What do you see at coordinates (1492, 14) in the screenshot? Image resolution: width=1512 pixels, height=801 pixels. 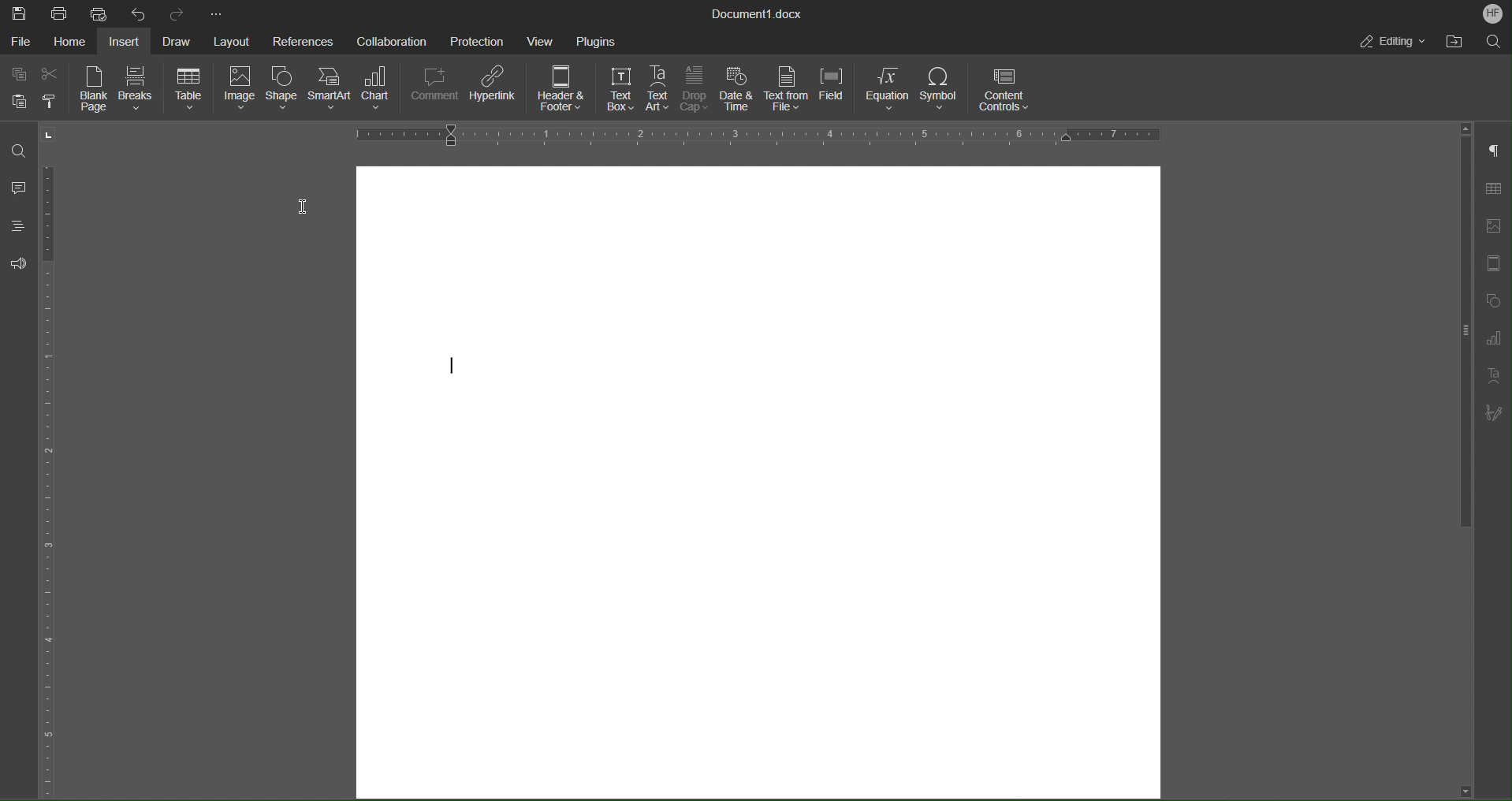 I see `Account` at bounding box center [1492, 14].